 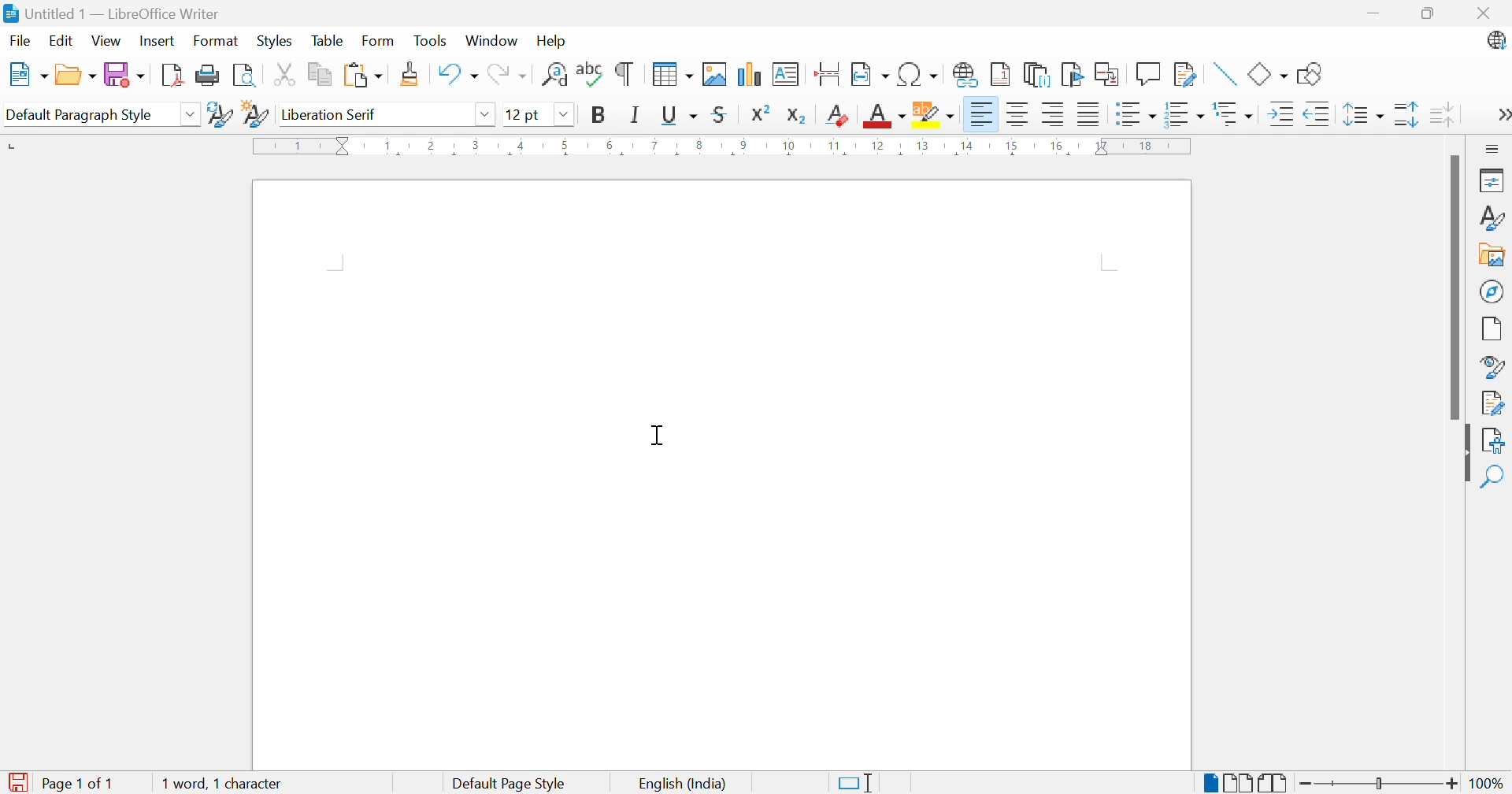 What do you see at coordinates (489, 117) in the screenshot?
I see `Drop down` at bounding box center [489, 117].